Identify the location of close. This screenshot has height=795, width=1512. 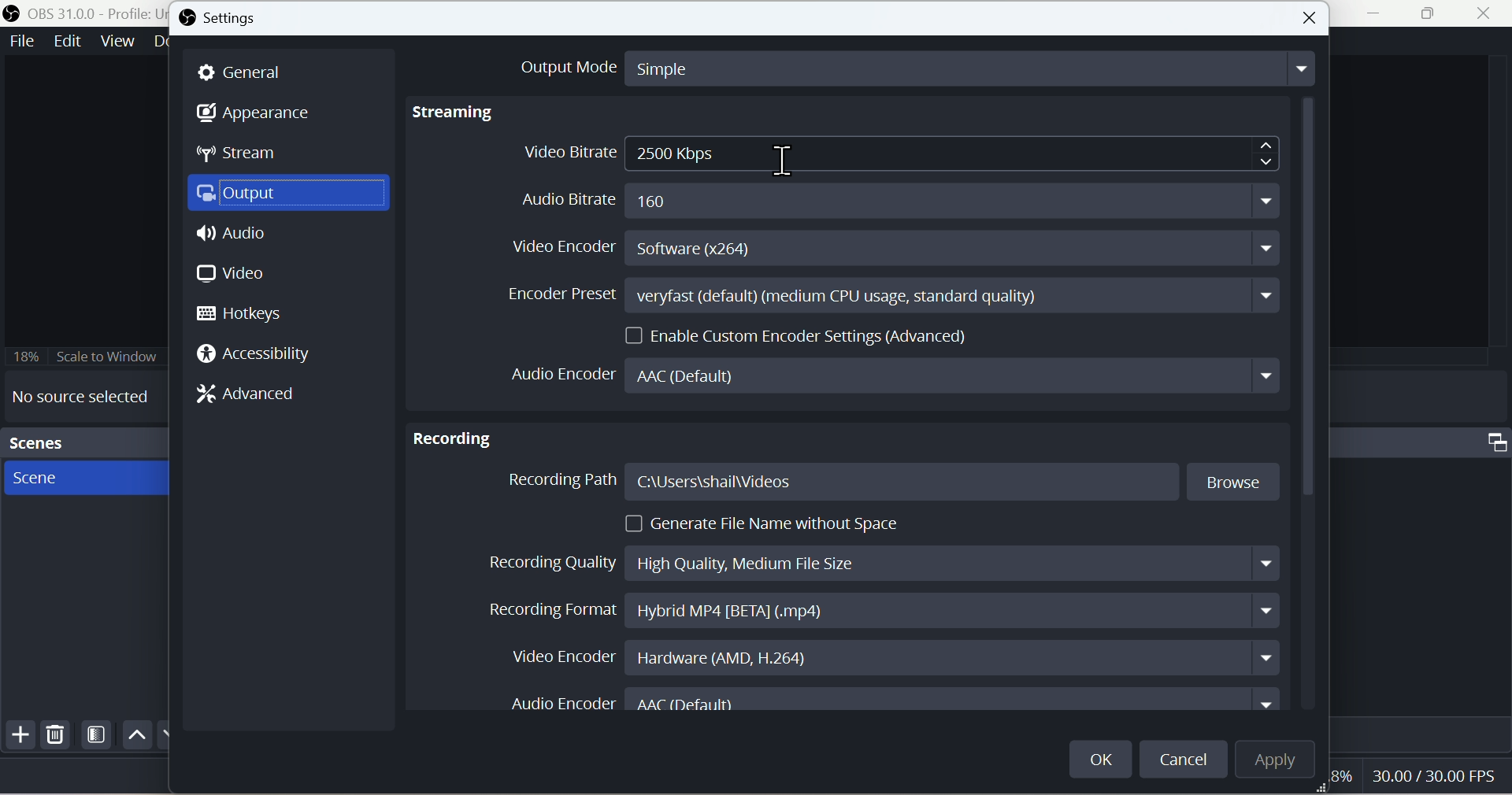
(1488, 15).